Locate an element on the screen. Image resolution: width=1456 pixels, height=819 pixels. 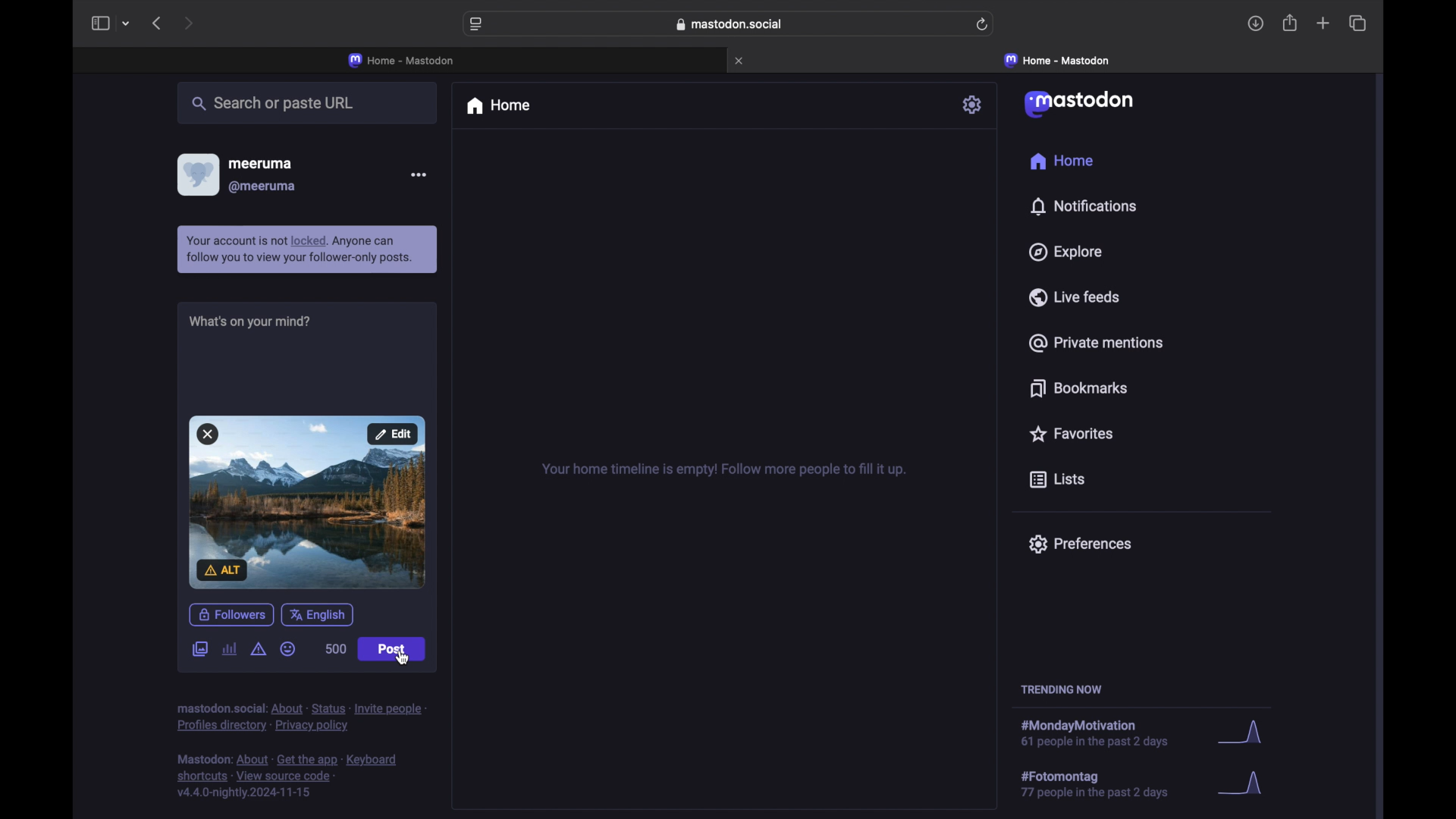
what's on your  mind is located at coordinates (249, 322).